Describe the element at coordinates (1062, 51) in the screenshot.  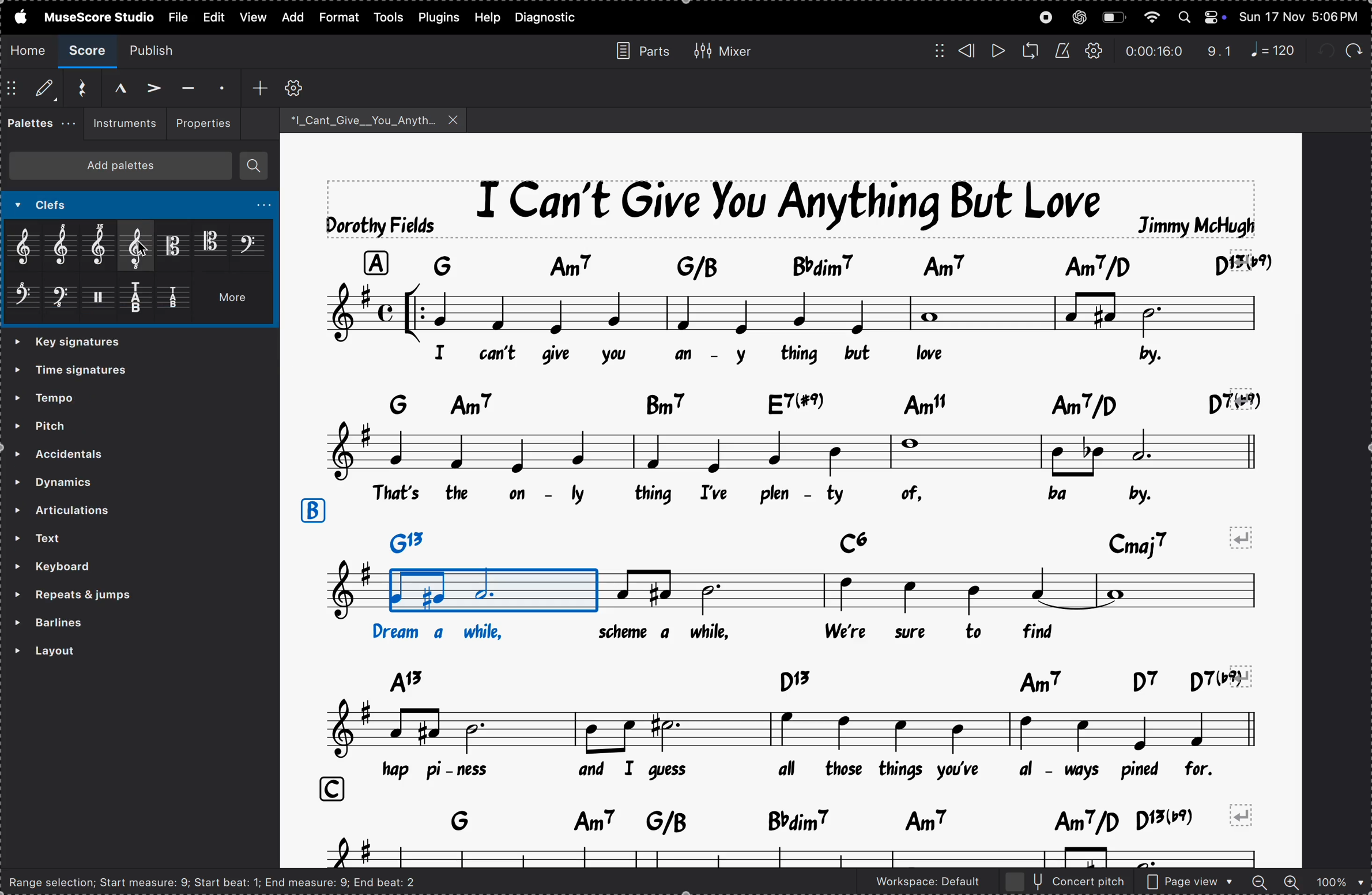
I see `metronome` at that location.